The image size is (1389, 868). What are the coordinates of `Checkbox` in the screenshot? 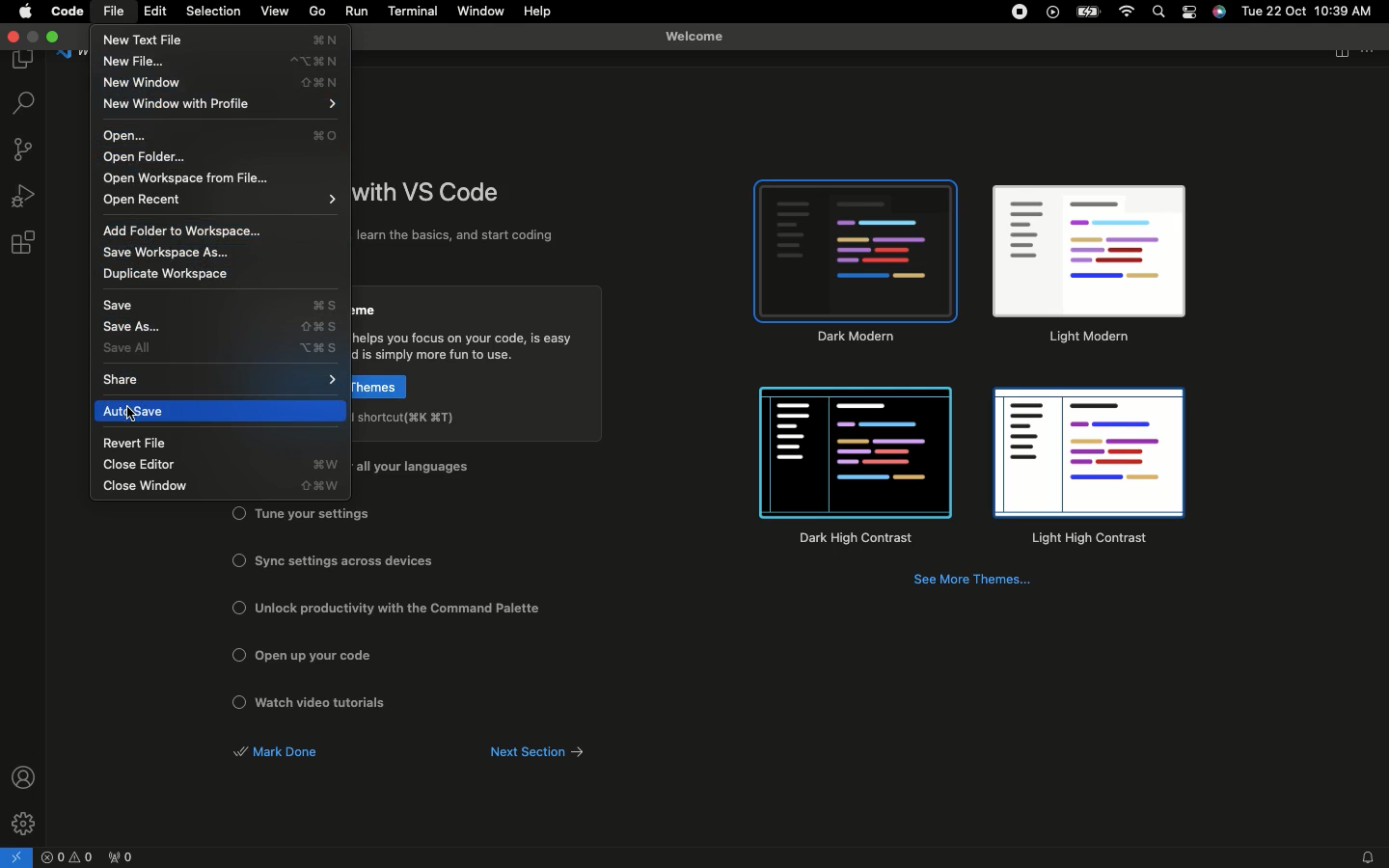 It's located at (236, 653).